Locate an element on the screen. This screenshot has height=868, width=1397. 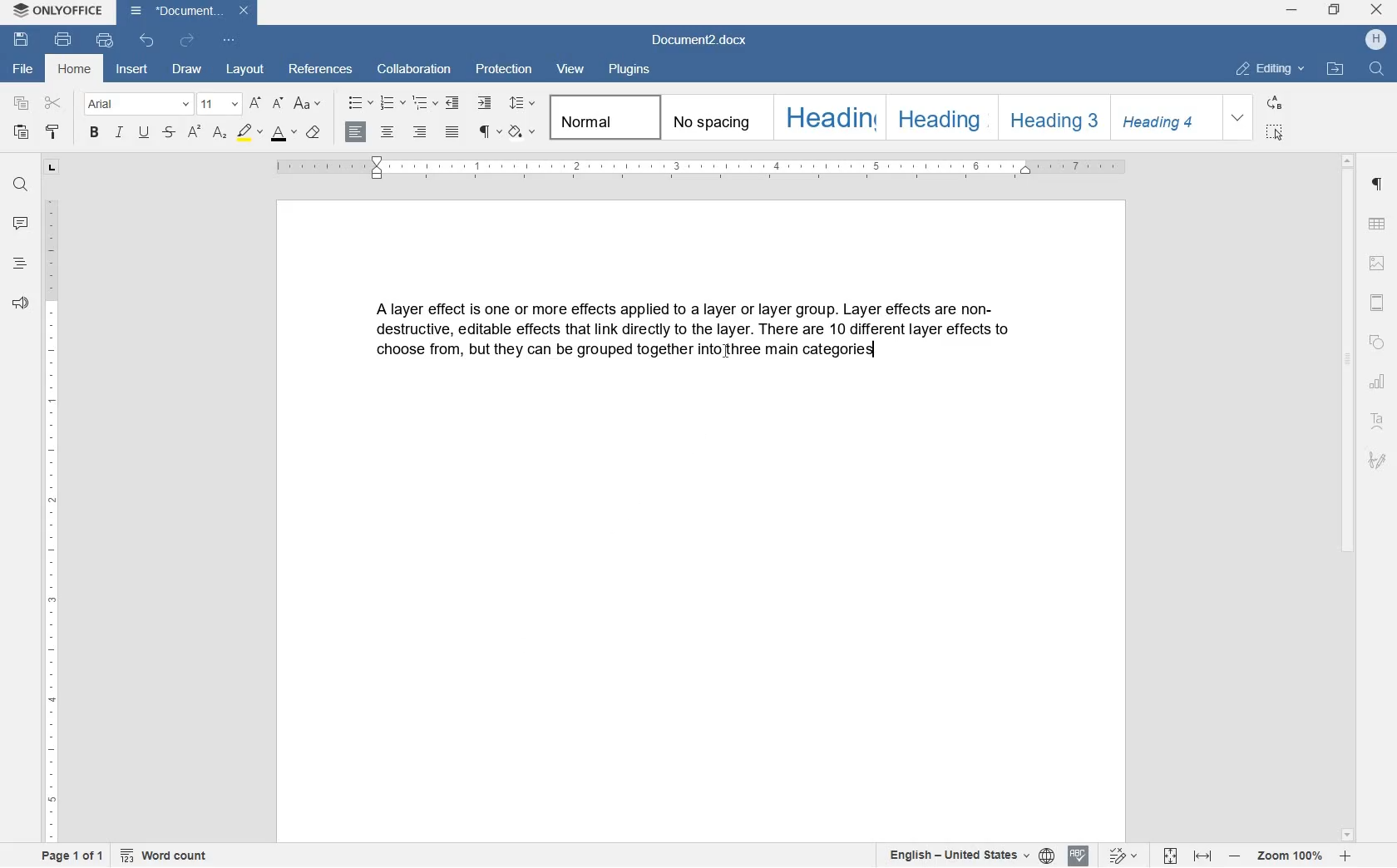
find is located at coordinates (1375, 69).